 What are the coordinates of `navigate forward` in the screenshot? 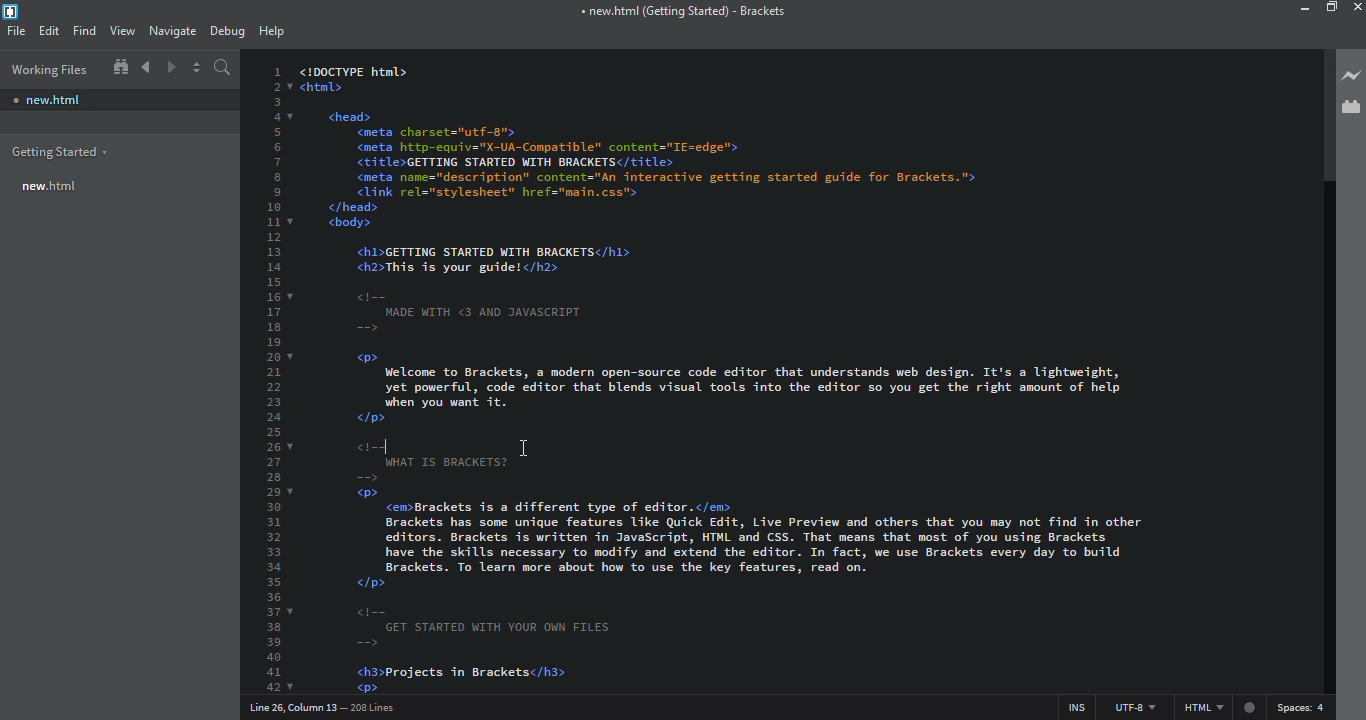 It's located at (171, 67).